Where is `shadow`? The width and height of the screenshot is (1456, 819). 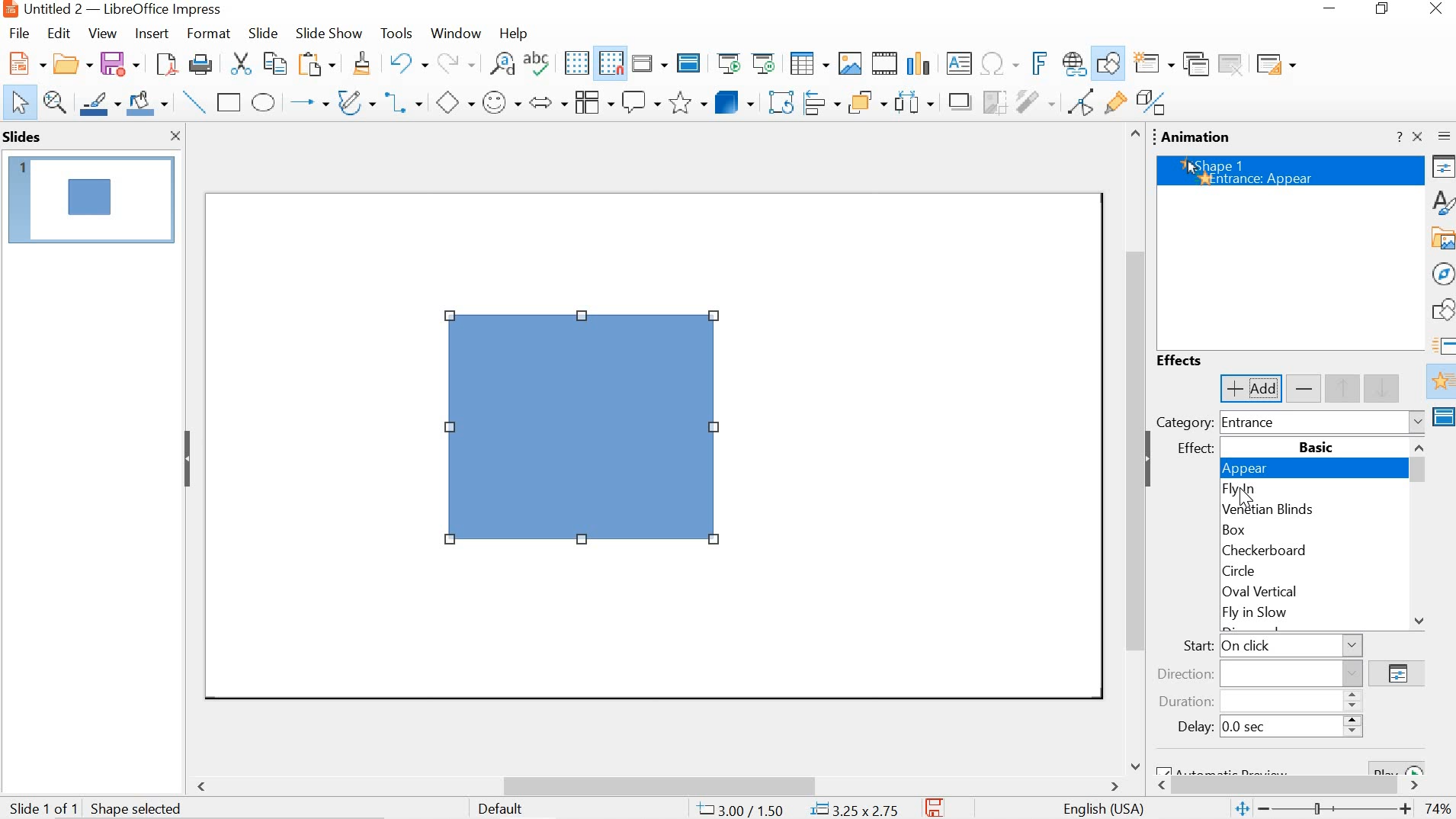
shadow is located at coordinates (954, 100).